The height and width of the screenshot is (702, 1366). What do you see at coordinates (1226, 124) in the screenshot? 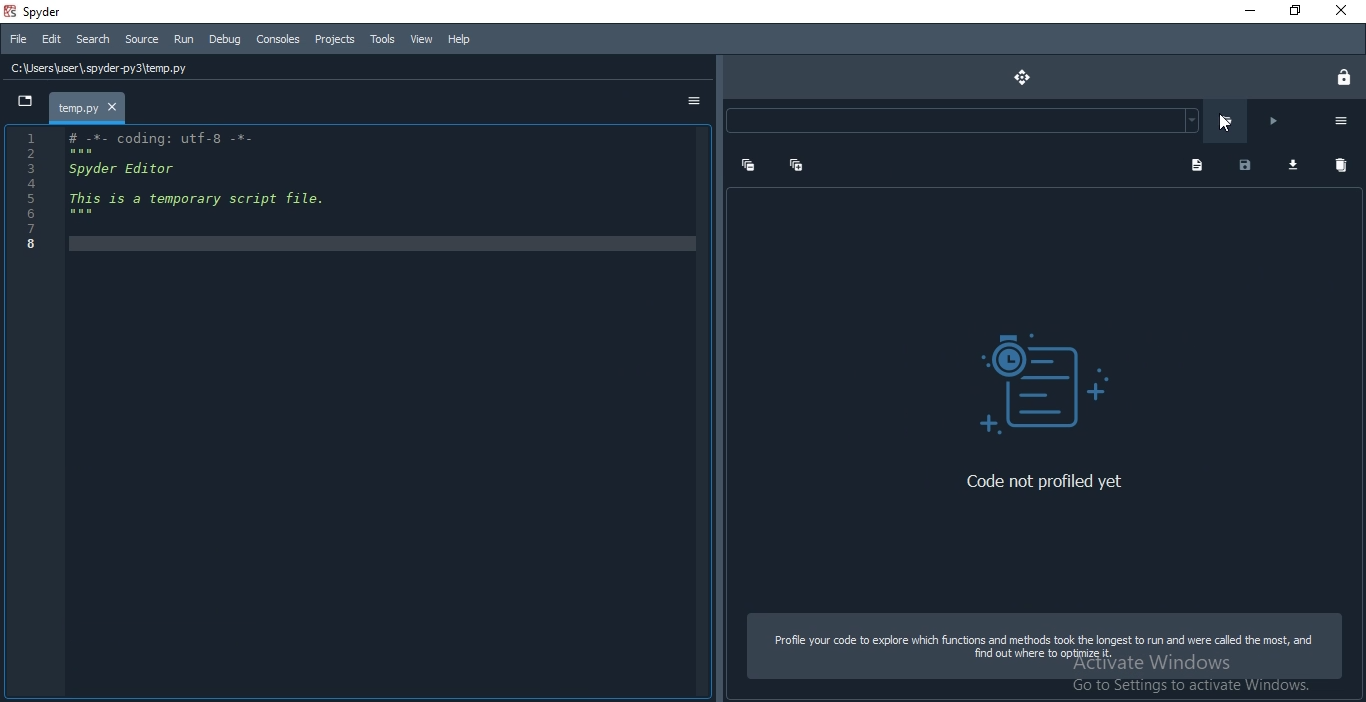
I see `cursor on moved` at bounding box center [1226, 124].